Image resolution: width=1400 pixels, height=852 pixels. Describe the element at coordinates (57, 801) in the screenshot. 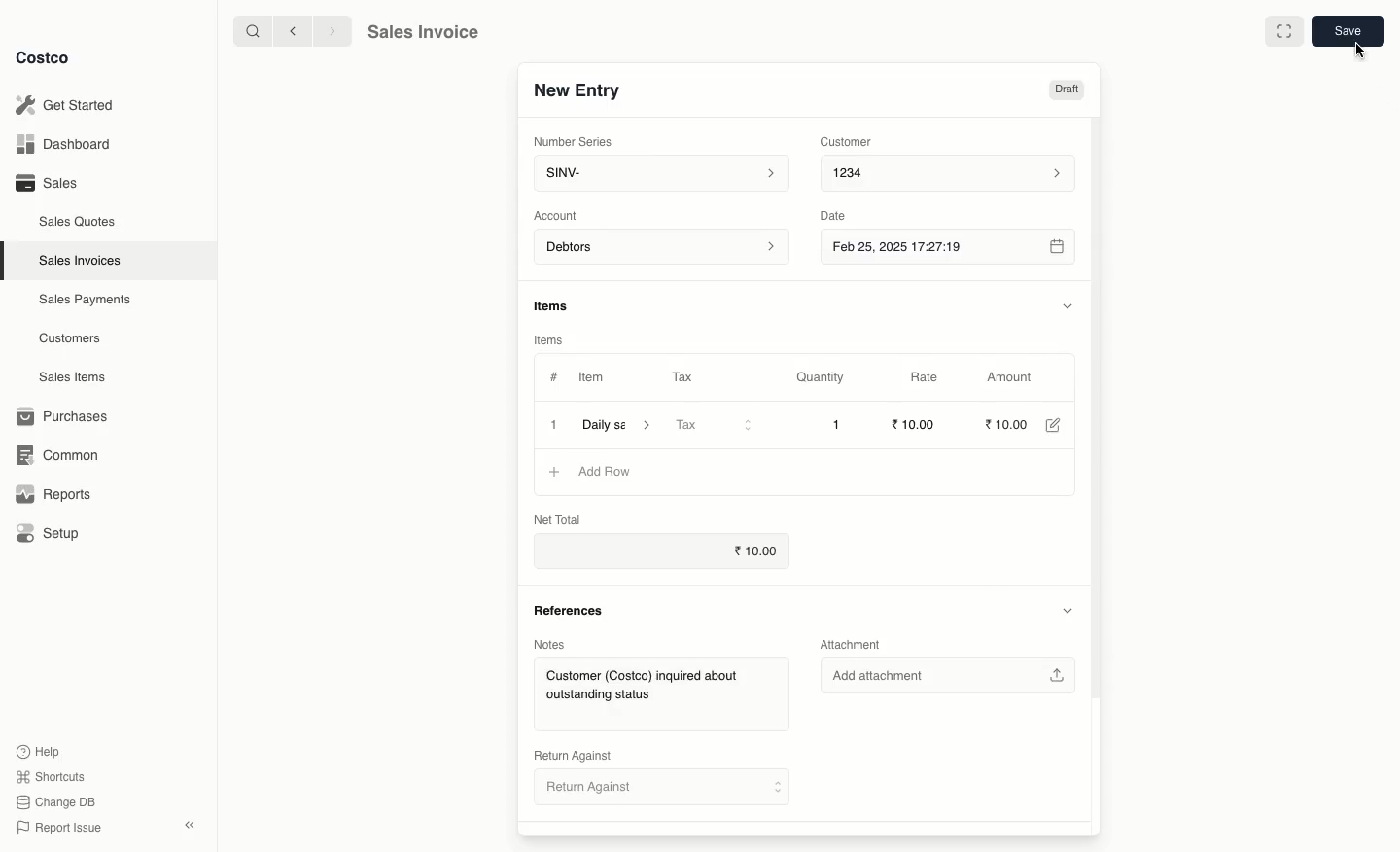

I see `Change DB` at that location.